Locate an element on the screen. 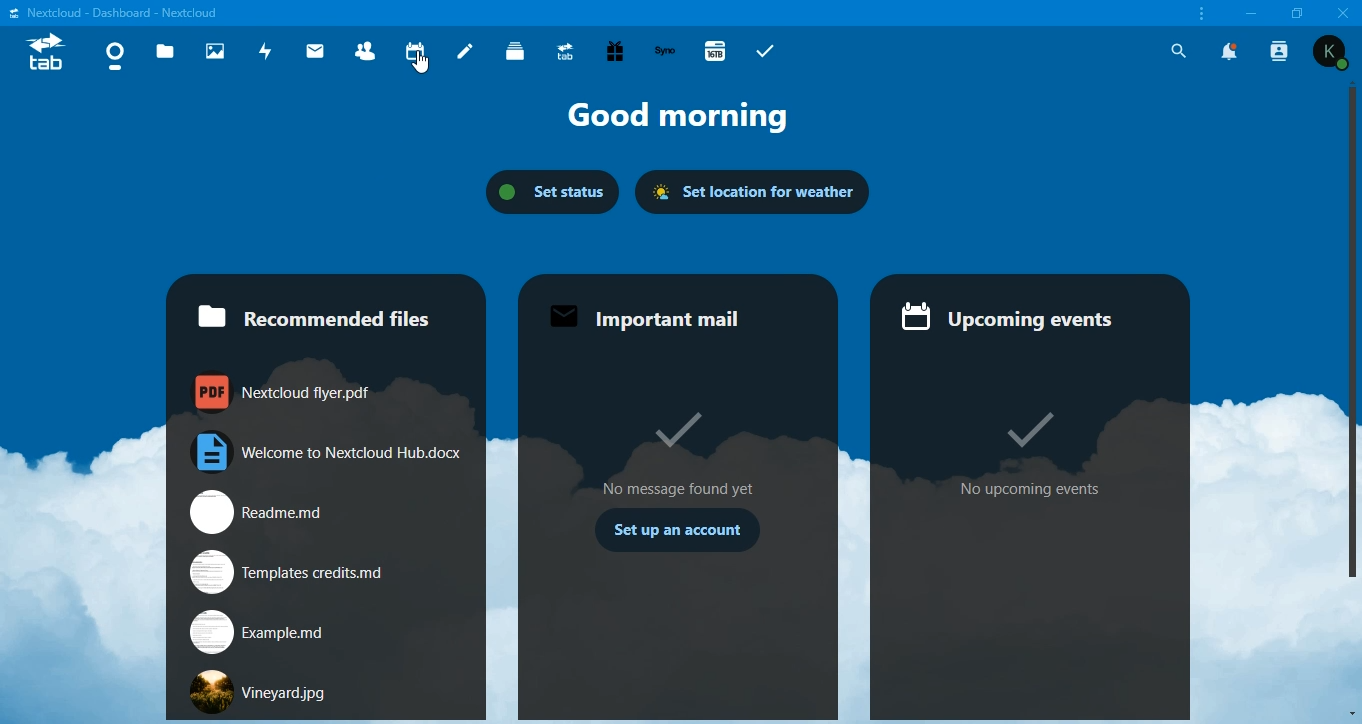 The width and height of the screenshot is (1362, 724). set location for weather is located at coordinates (757, 189).